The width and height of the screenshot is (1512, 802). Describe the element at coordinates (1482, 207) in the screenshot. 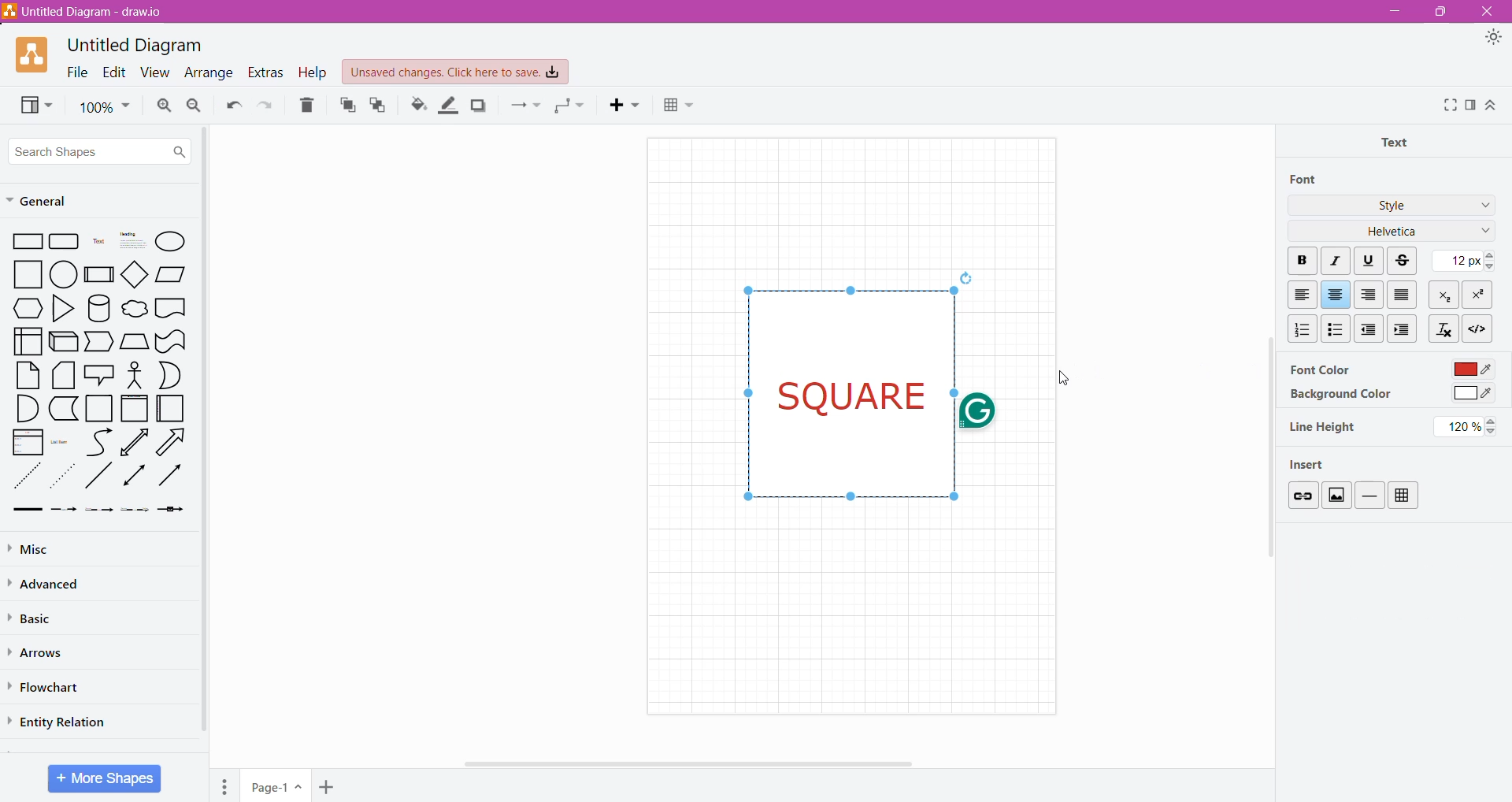

I see `More Styles` at that location.